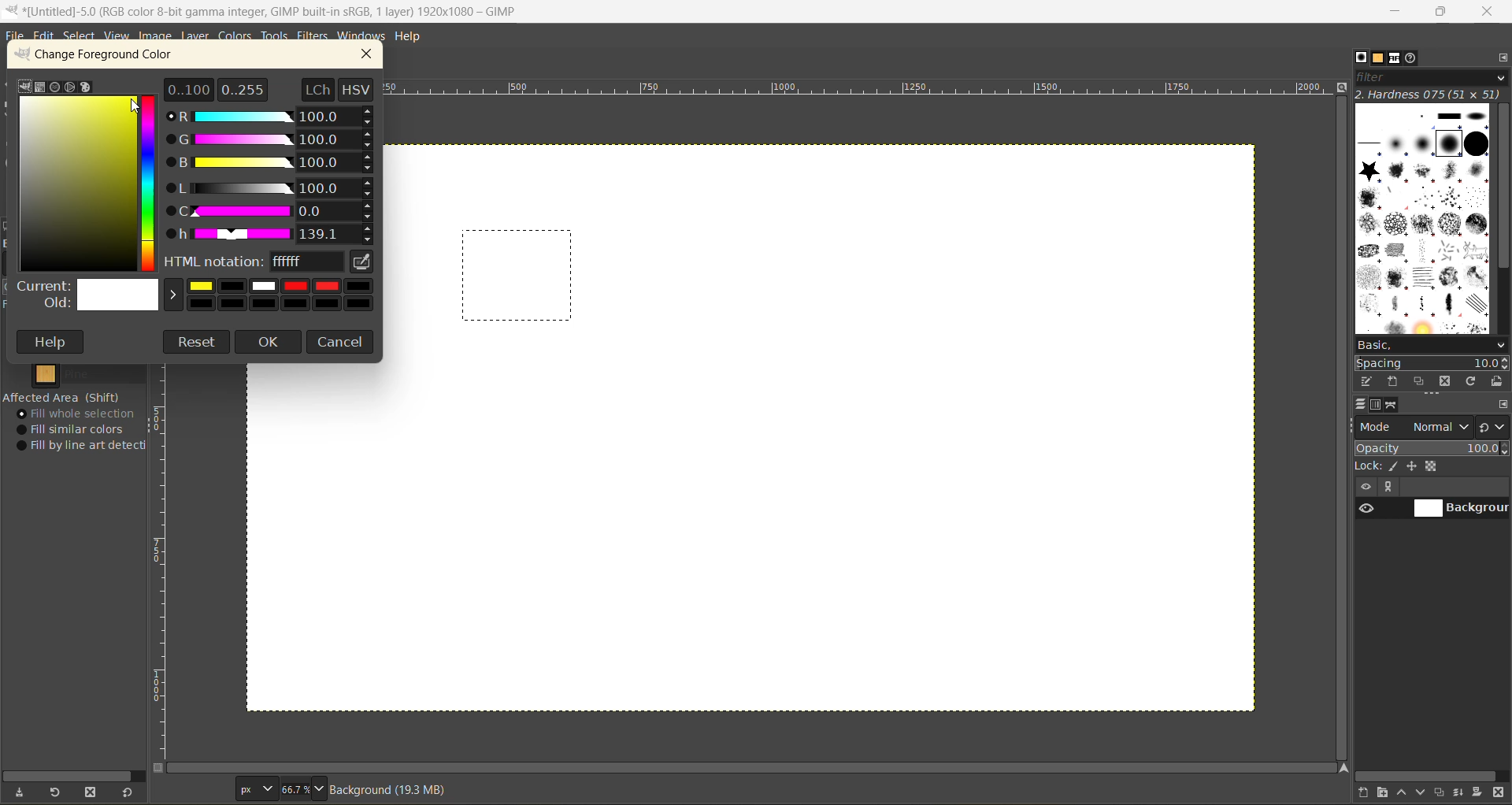 This screenshot has width=1512, height=805. Describe the element at coordinates (55, 87) in the screenshot. I see `watercolor` at that location.